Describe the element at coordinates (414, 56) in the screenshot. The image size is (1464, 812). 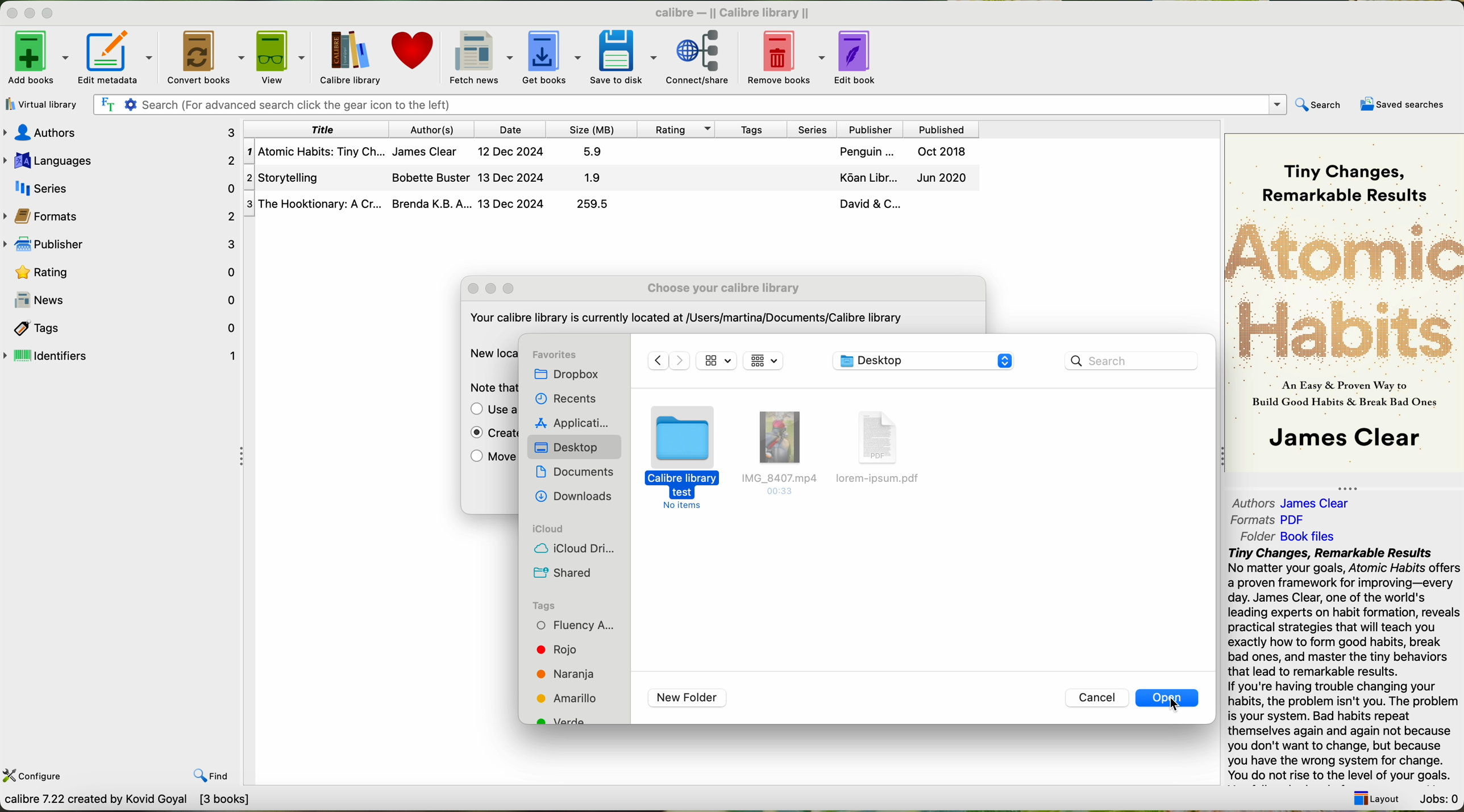
I see `donate` at that location.